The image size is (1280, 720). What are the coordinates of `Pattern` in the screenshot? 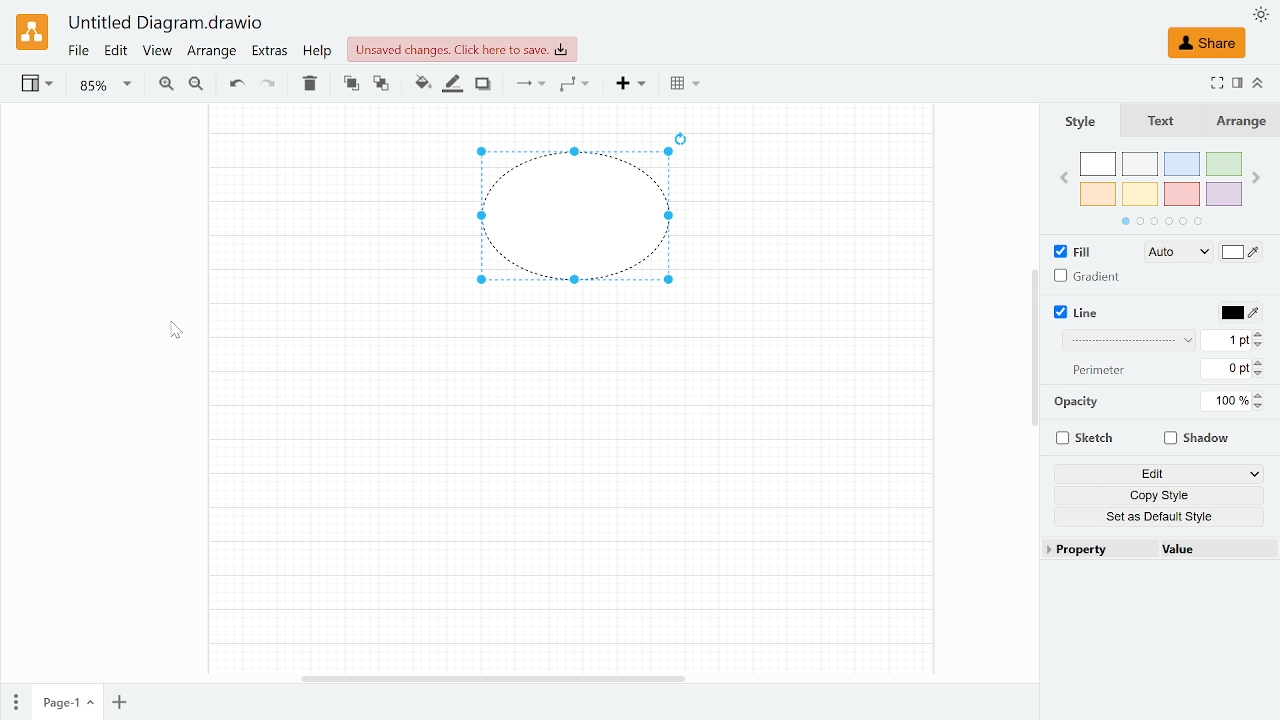 It's located at (1128, 341).